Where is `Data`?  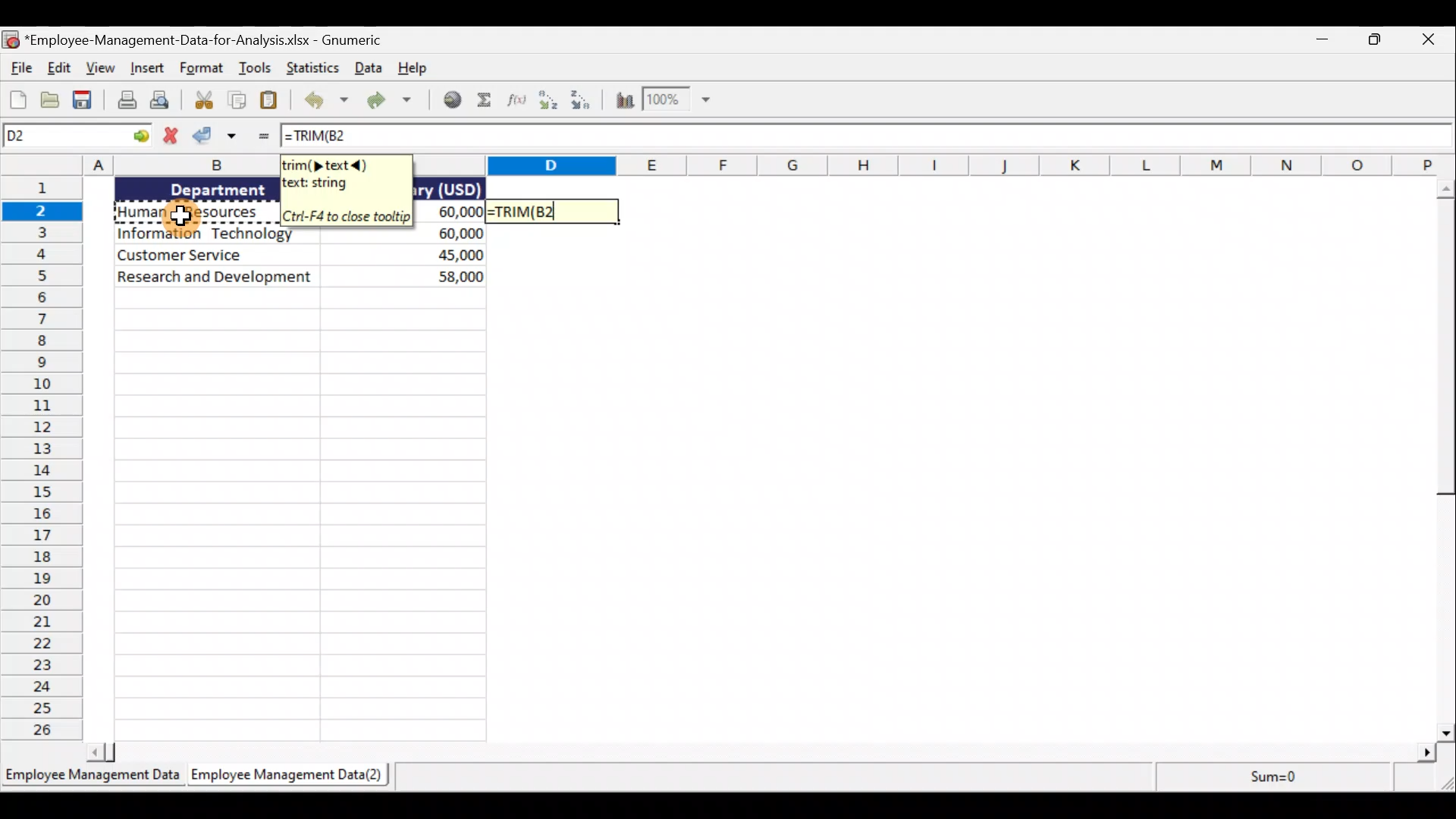
Data is located at coordinates (189, 232).